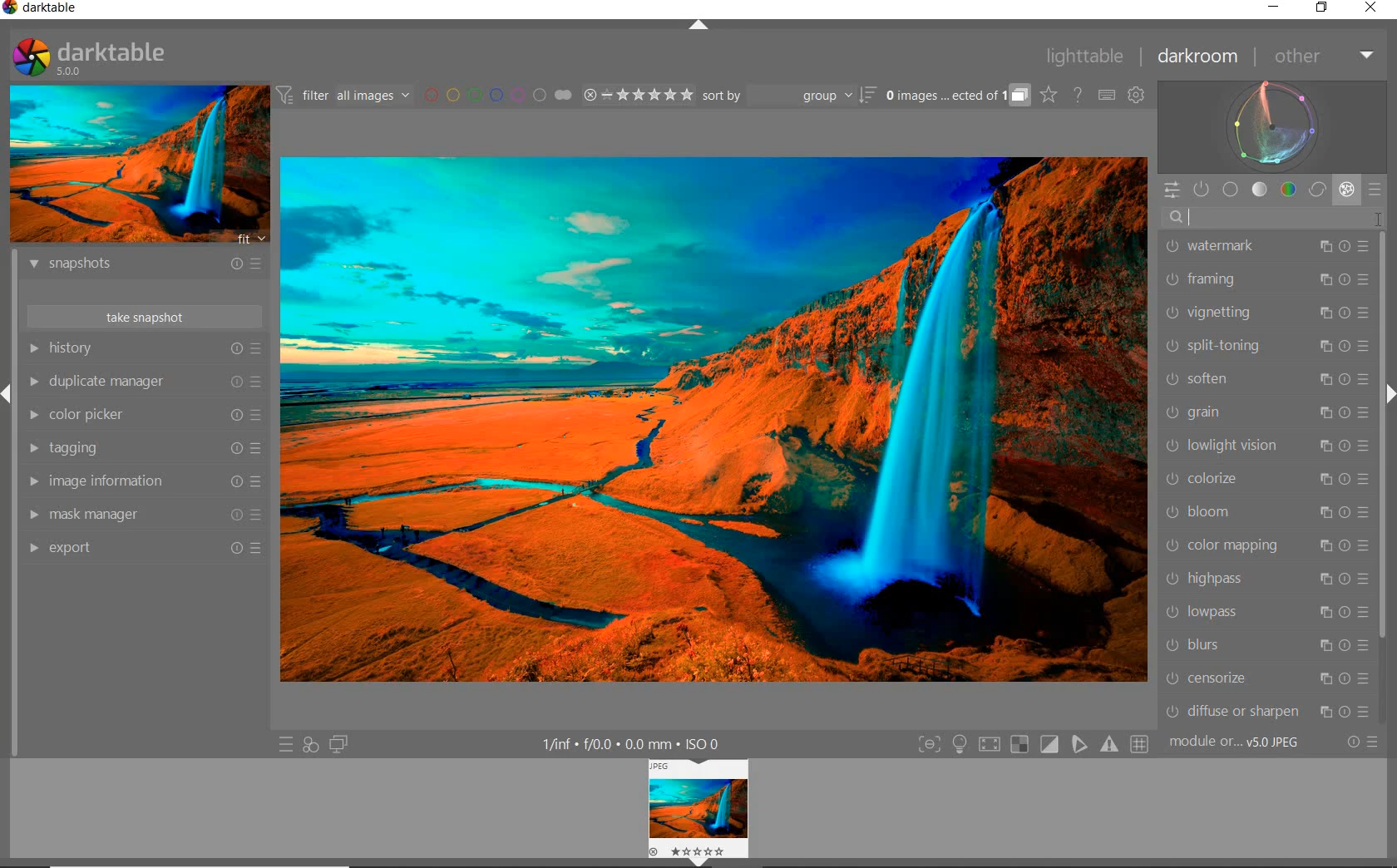 Image resolution: width=1397 pixels, height=868 pixels. I want to click on snapshots, so click(149, 266).